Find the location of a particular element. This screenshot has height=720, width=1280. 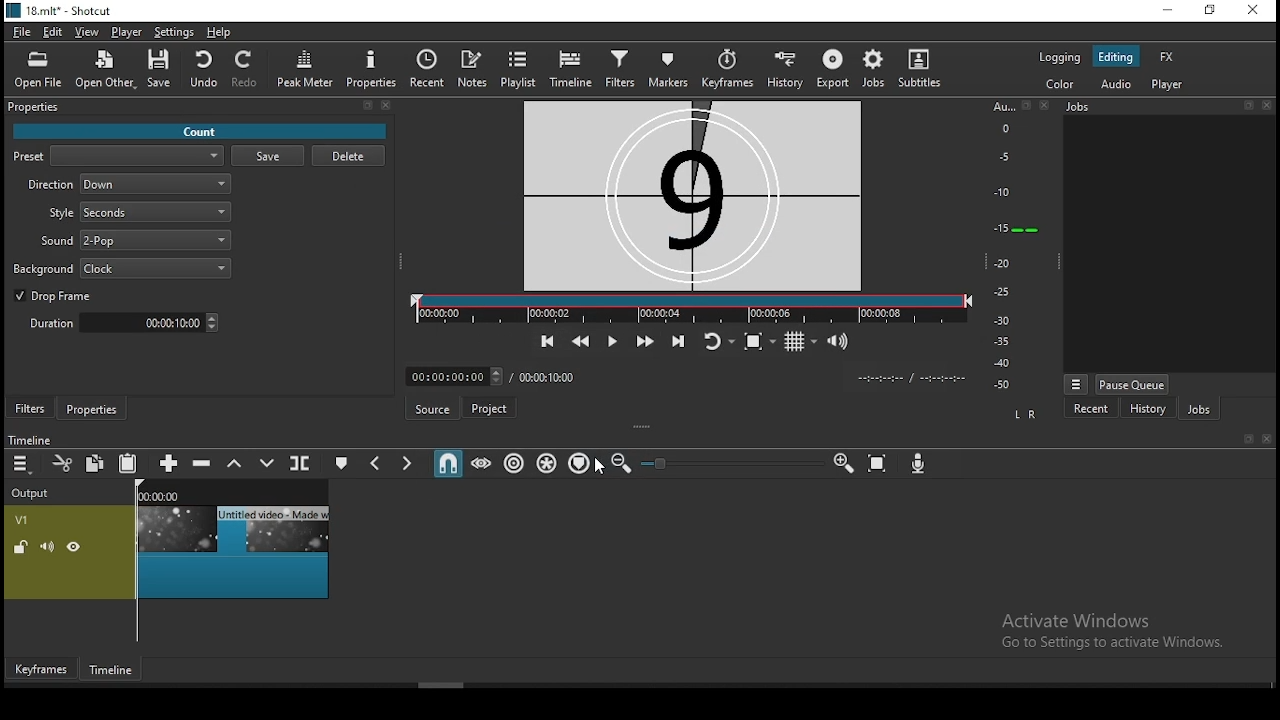

edit is located at coordinates (54, 33).